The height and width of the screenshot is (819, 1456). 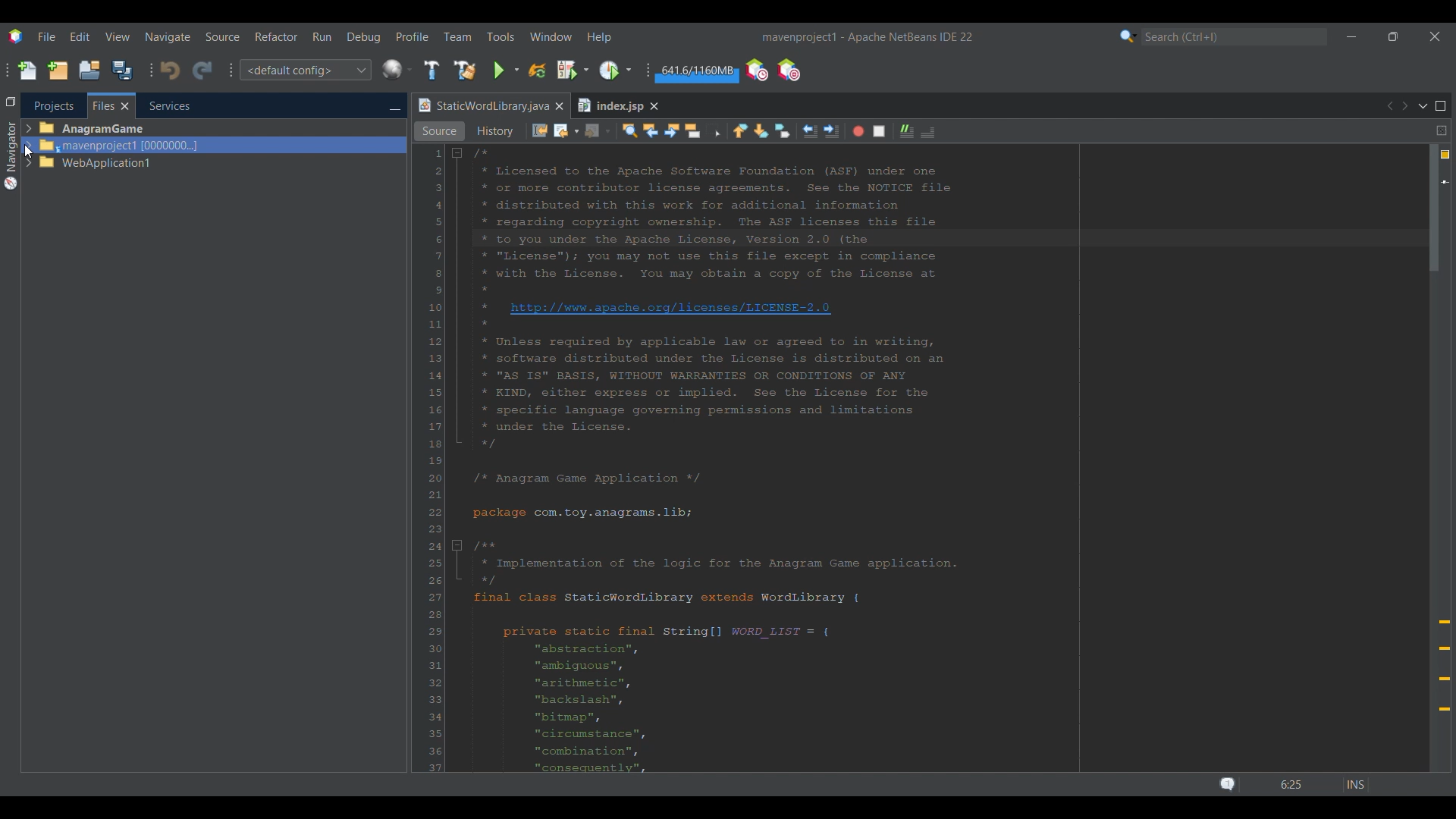 What do you see at coordinates (96, 145) in the screenshot?
I see `Options under Files tab` at bounding box center [96, 145].